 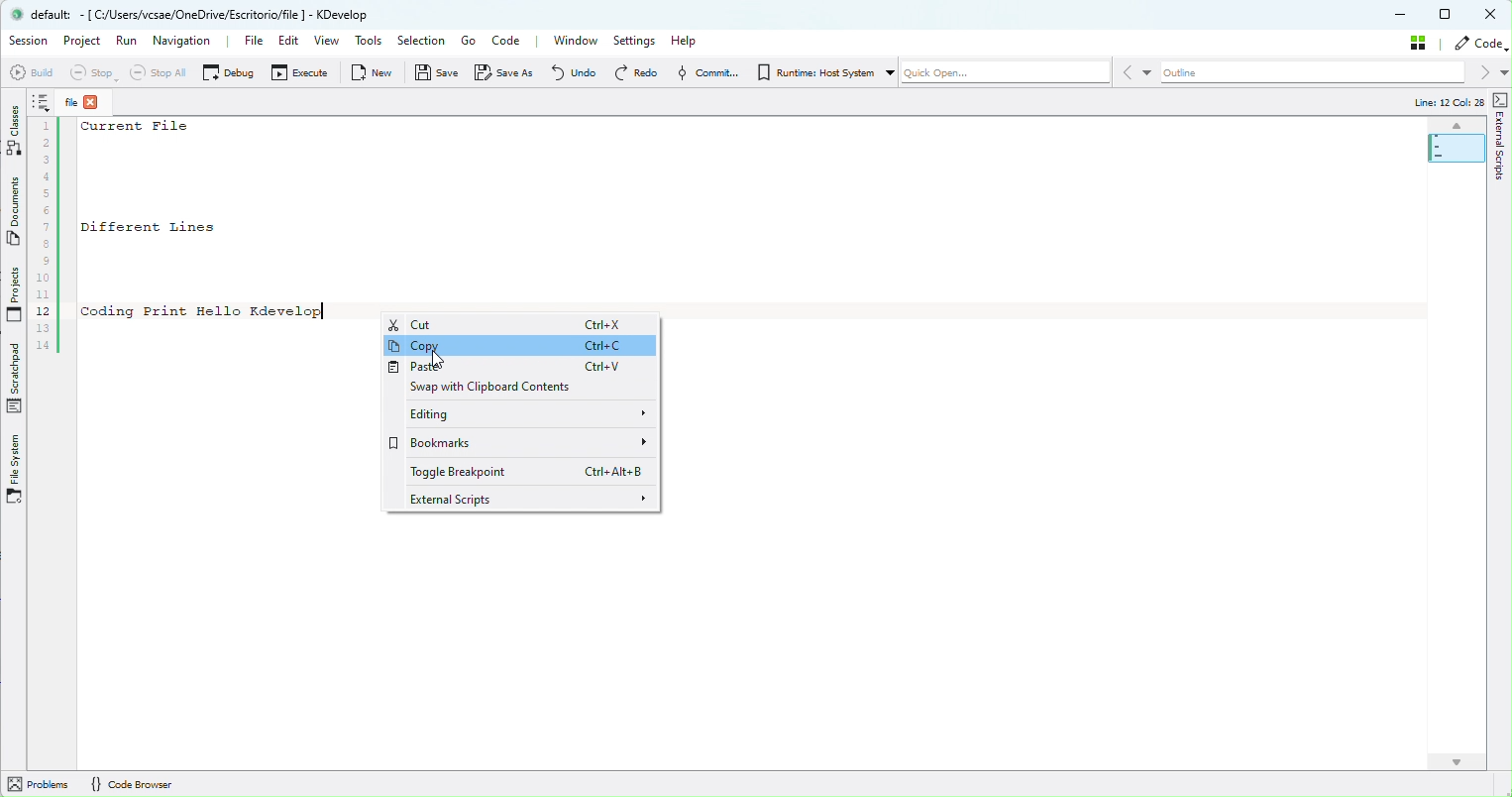 I want to click on Execute, so click(x=301, y=72).